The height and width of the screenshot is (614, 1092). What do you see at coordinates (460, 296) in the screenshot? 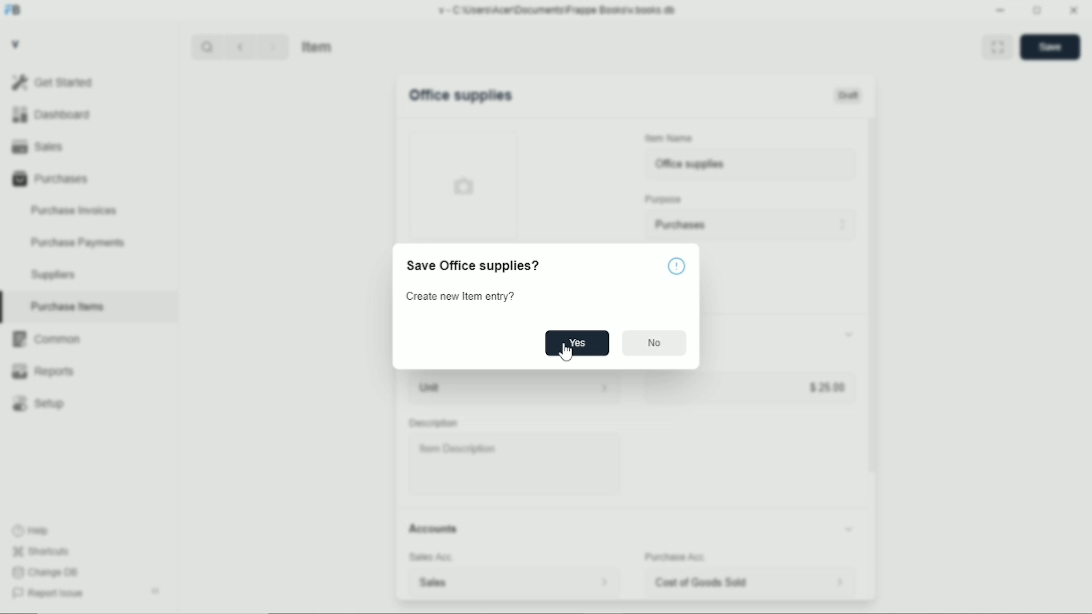
I see `create new item entry?` at bounding box center [460, 296].